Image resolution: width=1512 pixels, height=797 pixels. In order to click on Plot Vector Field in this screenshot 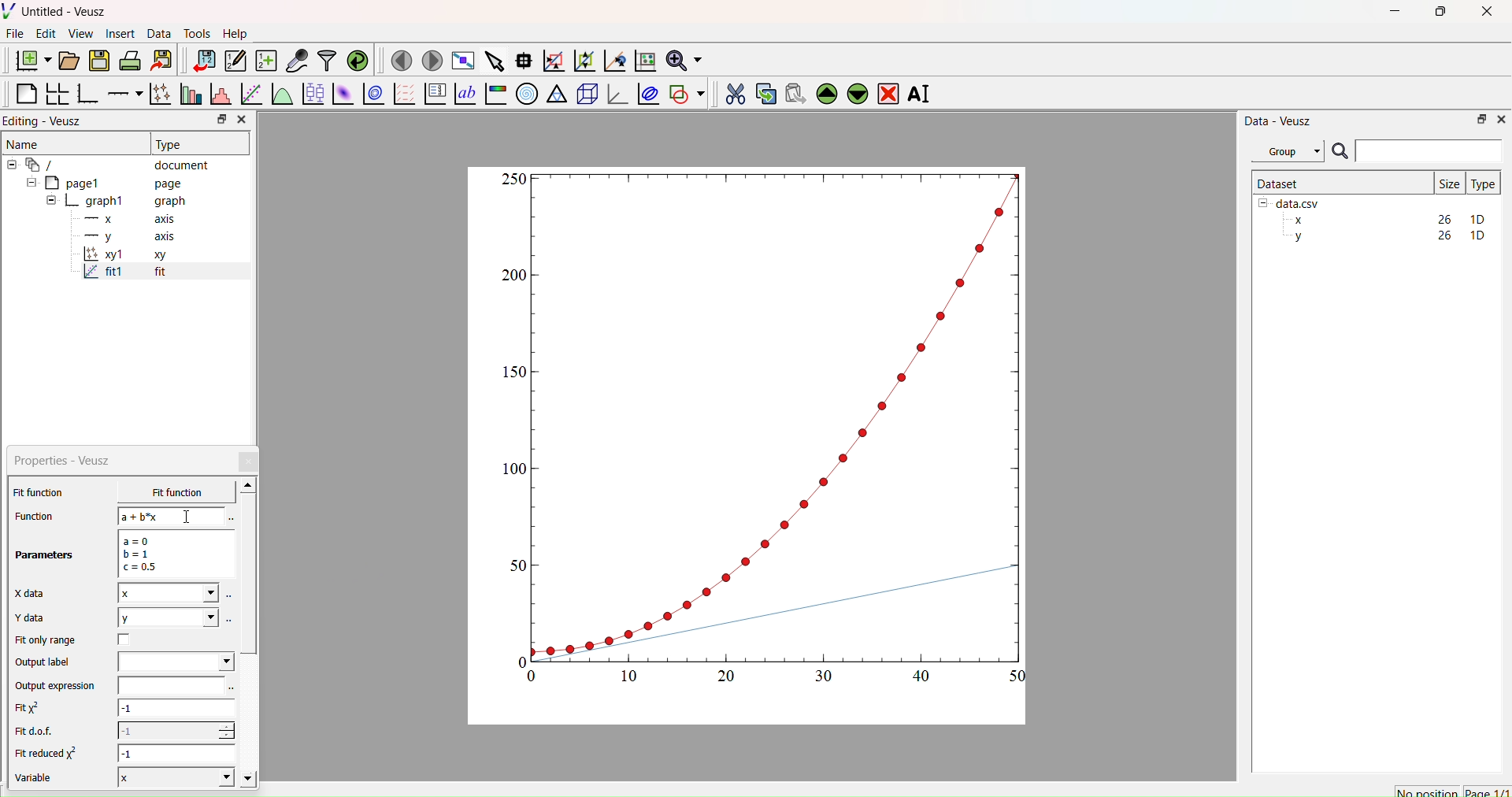, I will do `click(404, 95)`.